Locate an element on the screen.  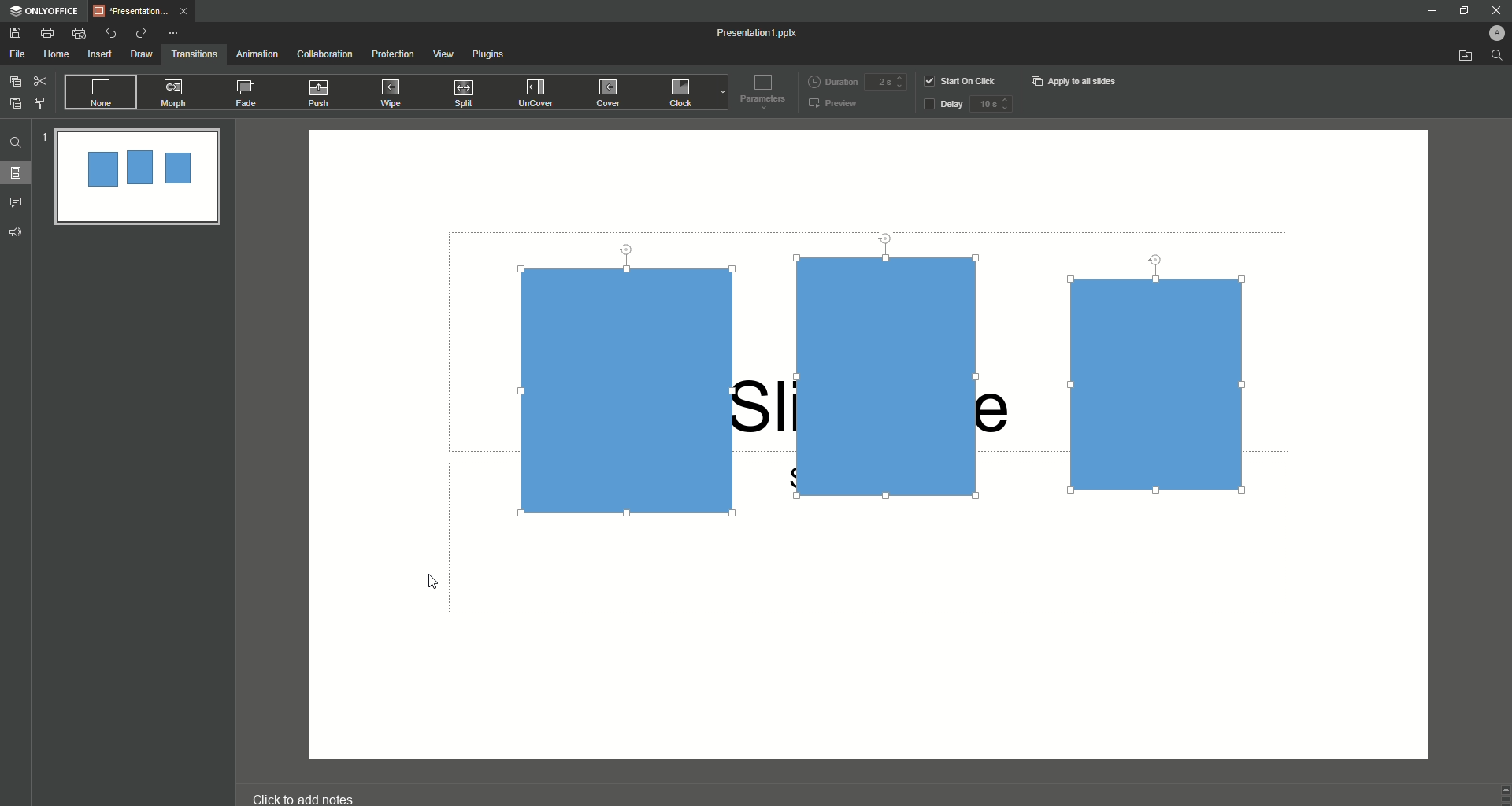
Close is located at coordinates (1489, 9).